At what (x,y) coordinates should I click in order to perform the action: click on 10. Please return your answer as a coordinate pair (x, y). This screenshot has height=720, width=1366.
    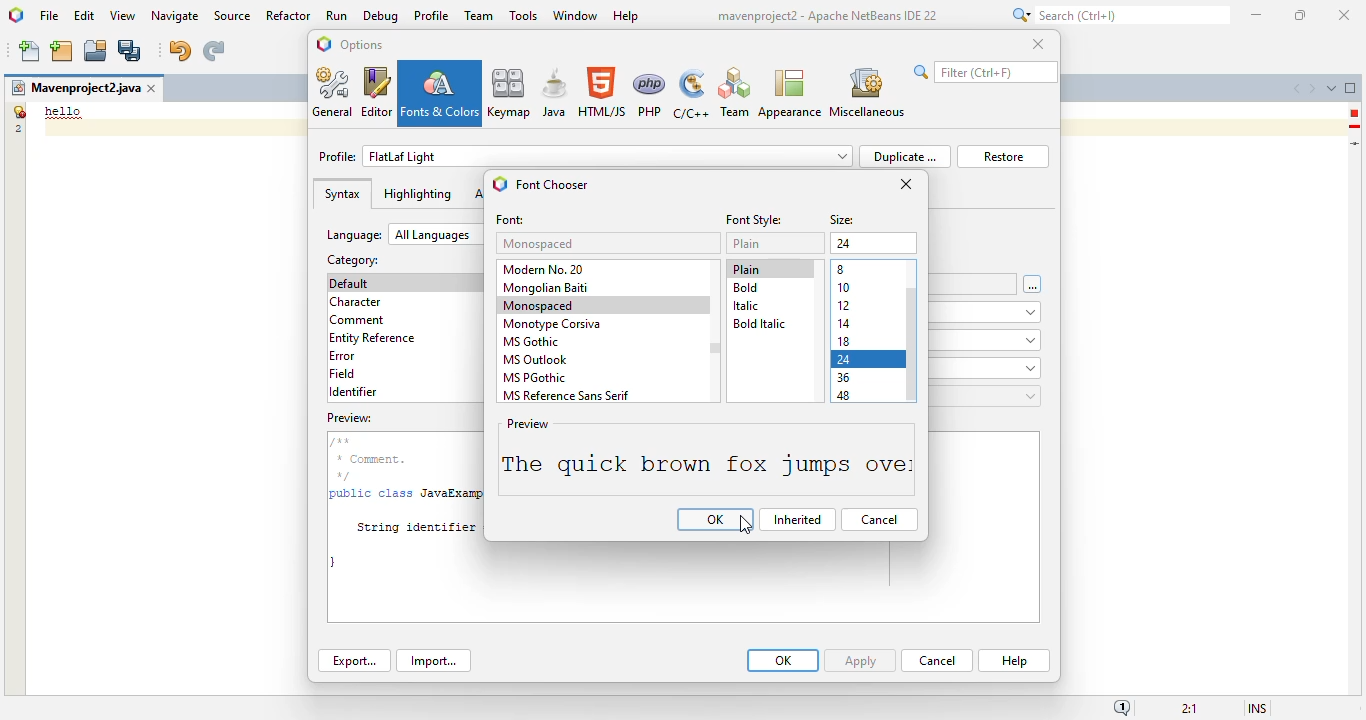
    Looking at the image, I should click on (845, 288).